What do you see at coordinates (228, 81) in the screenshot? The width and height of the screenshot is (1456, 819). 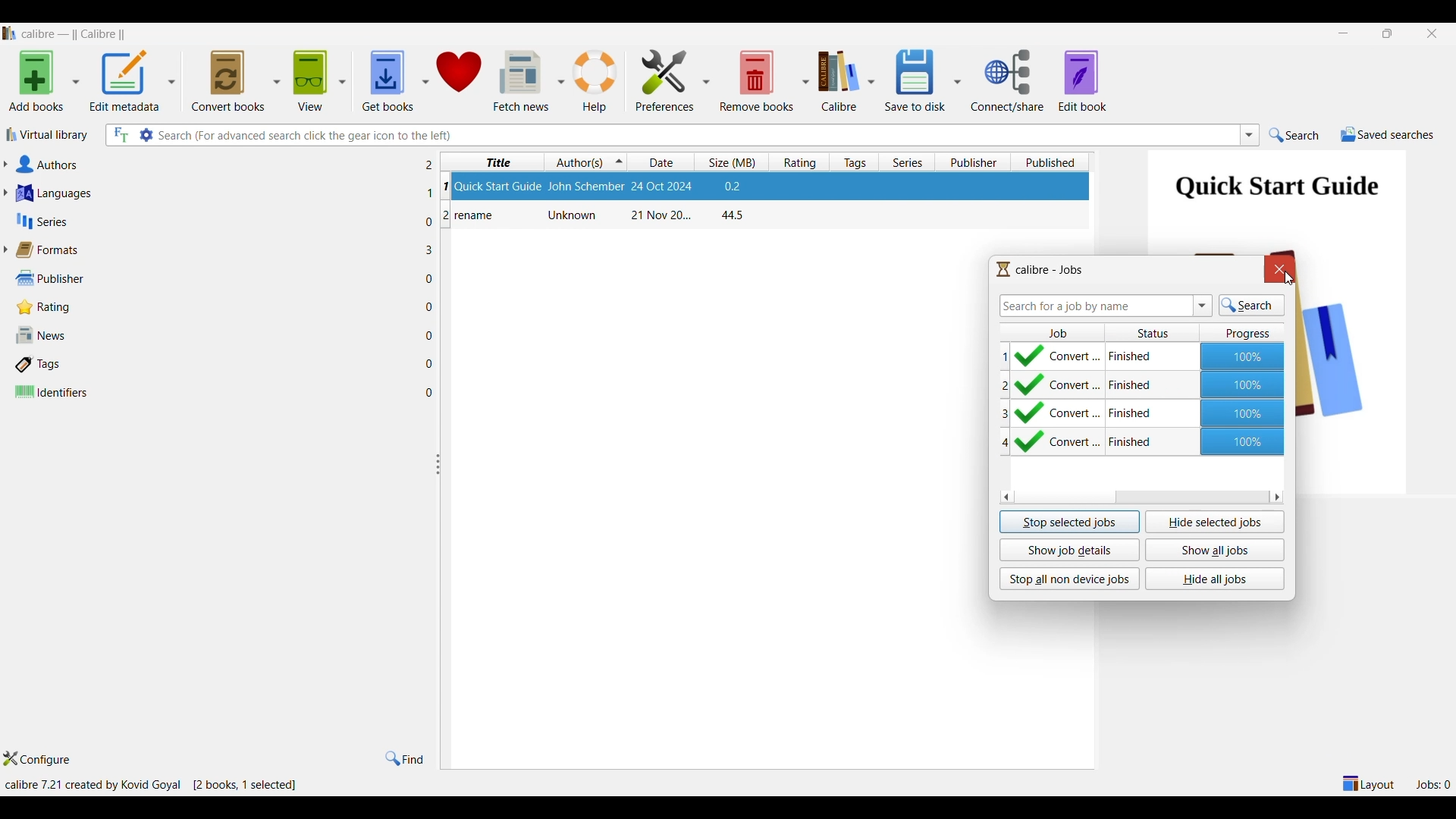 I see `Convert books` at bounding box center [228, 81].